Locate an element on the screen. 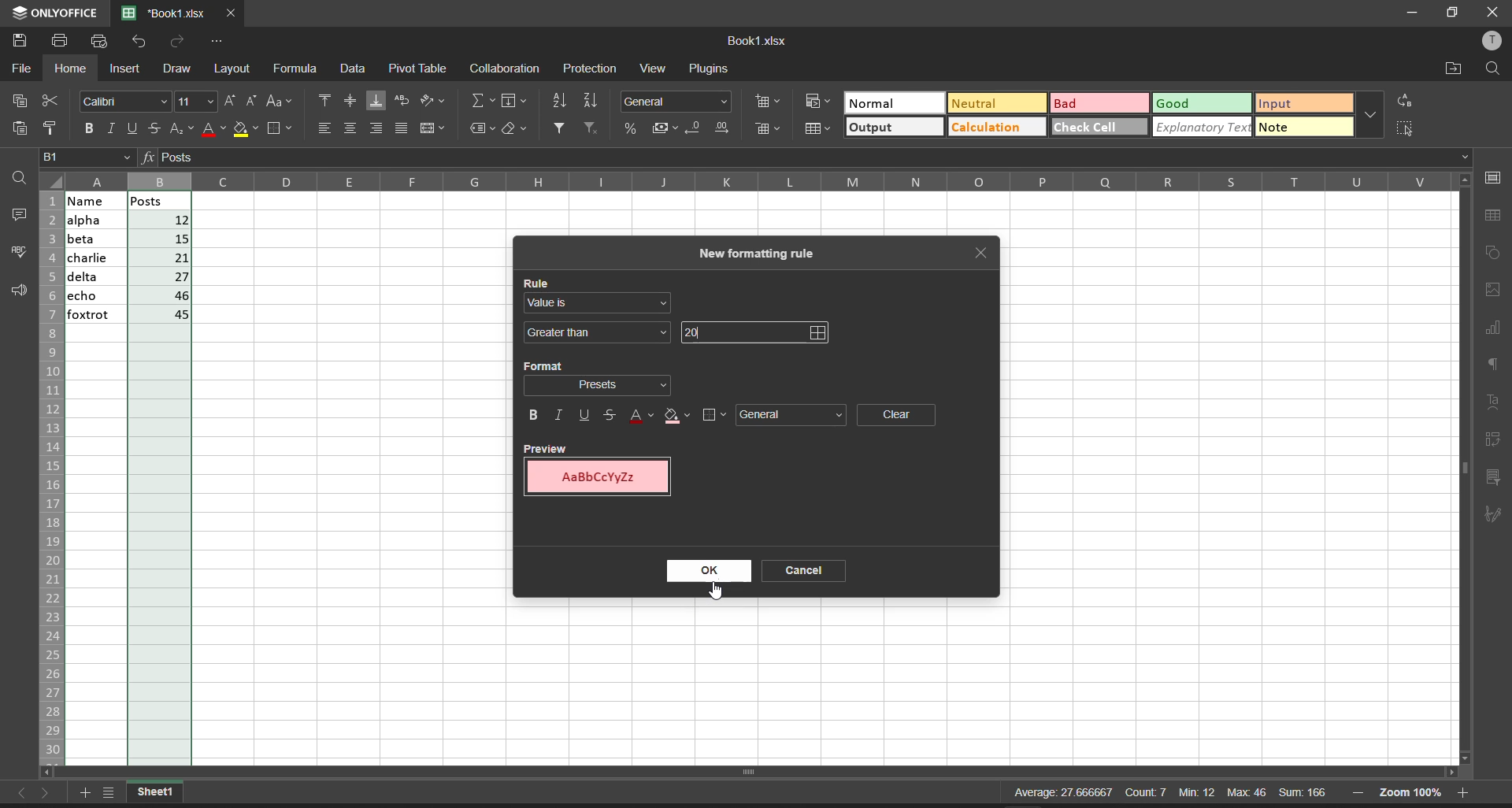 This screenshot has height=808, width=1512. paragraph settings is located at coordinates (1498, 363).